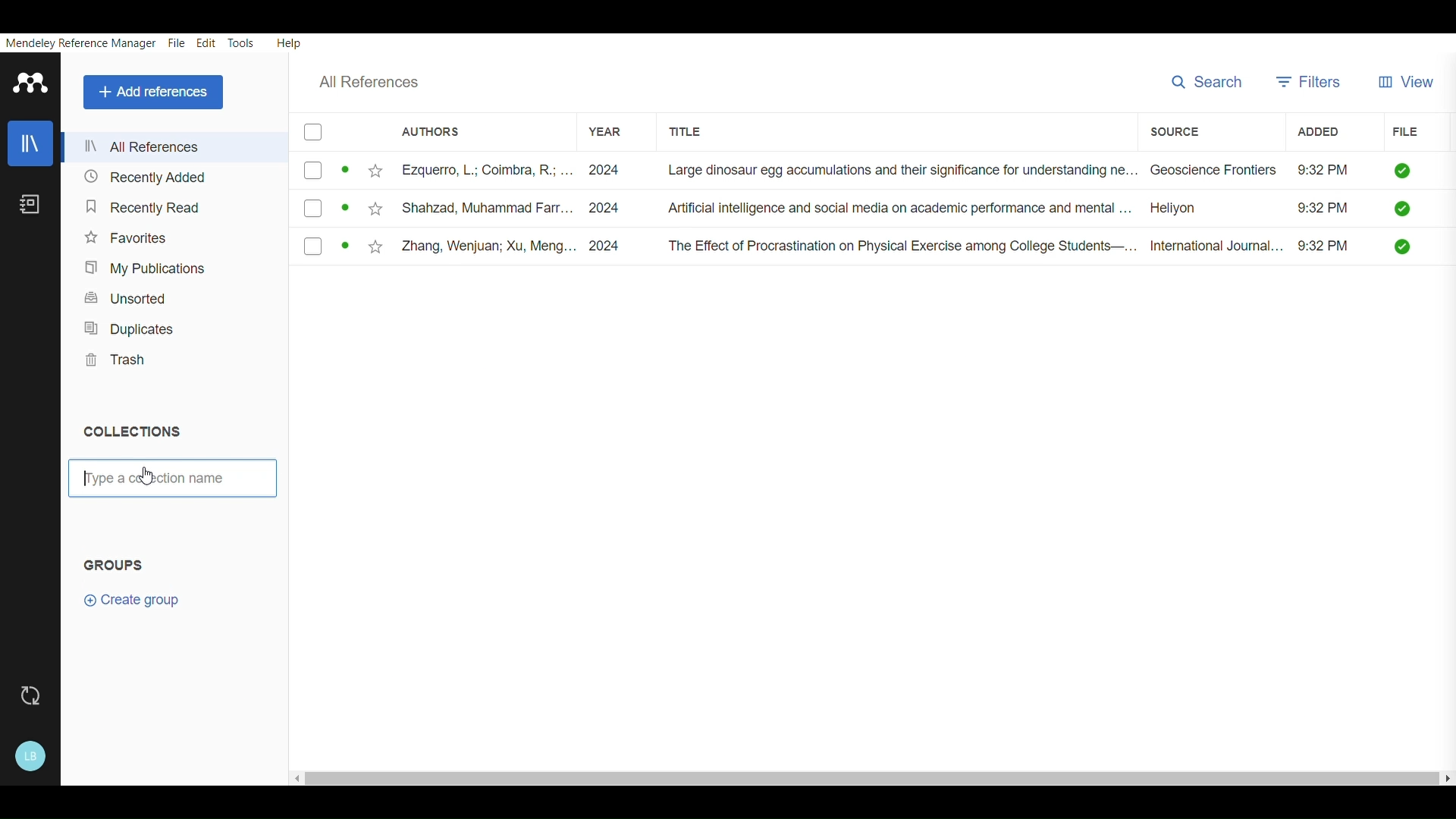 This screenshot has height=819, width=1456. Describe the element at coordinates (1410, 76) in the screenshot. I see `View` at that location.